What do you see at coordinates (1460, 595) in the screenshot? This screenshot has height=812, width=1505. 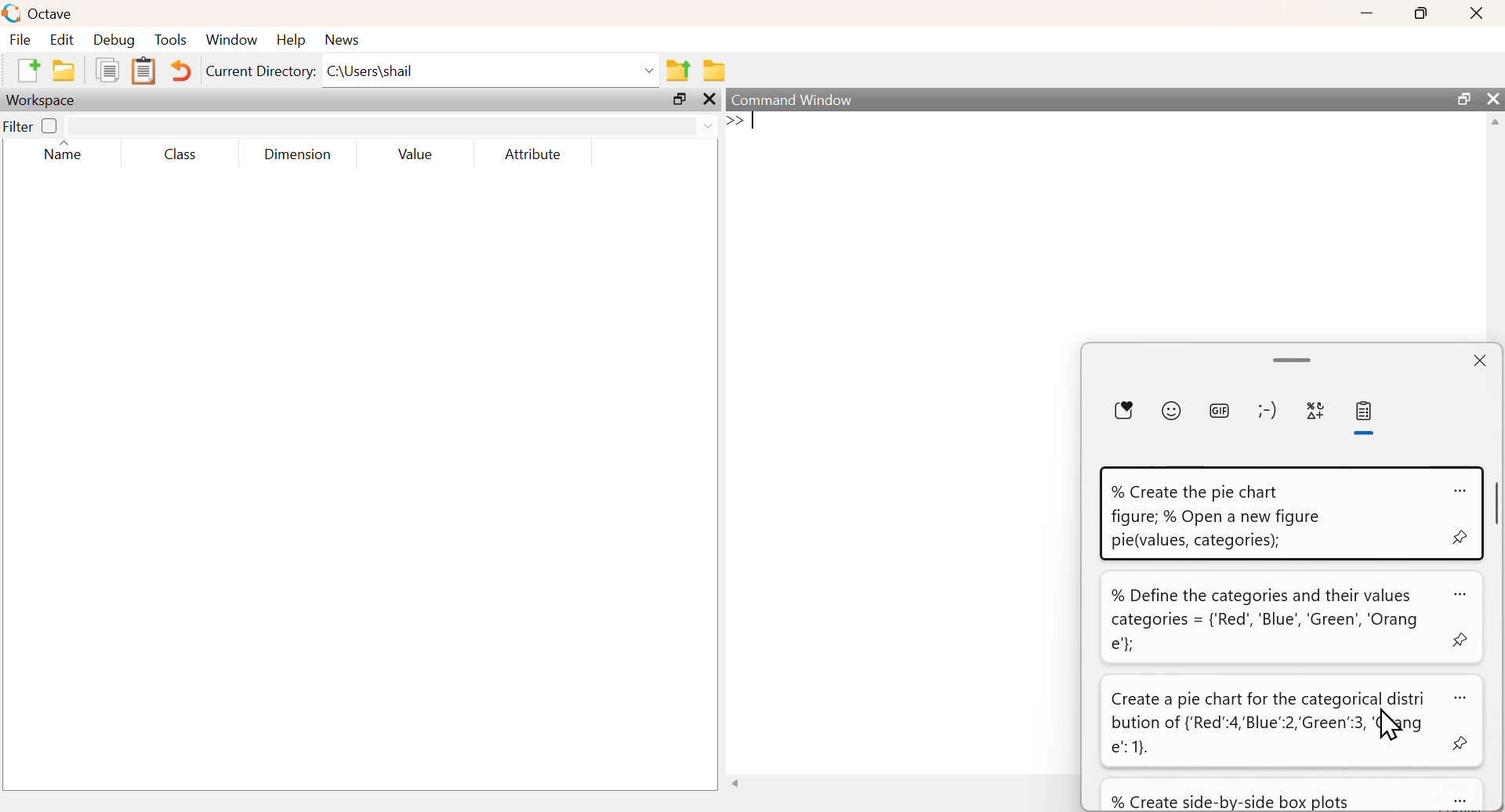 I see `more options` at bounding box center [1460, 595].